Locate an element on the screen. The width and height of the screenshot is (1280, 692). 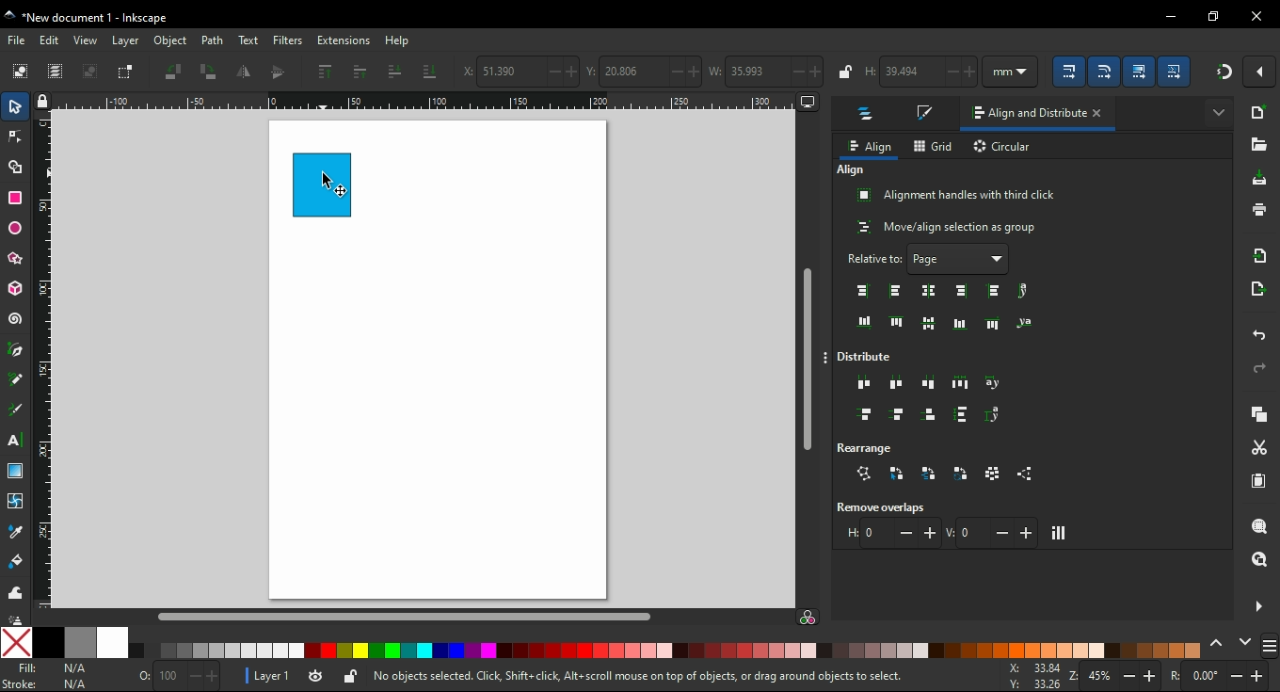
rotate object 90 CCW is located at coordinates (172, 71).